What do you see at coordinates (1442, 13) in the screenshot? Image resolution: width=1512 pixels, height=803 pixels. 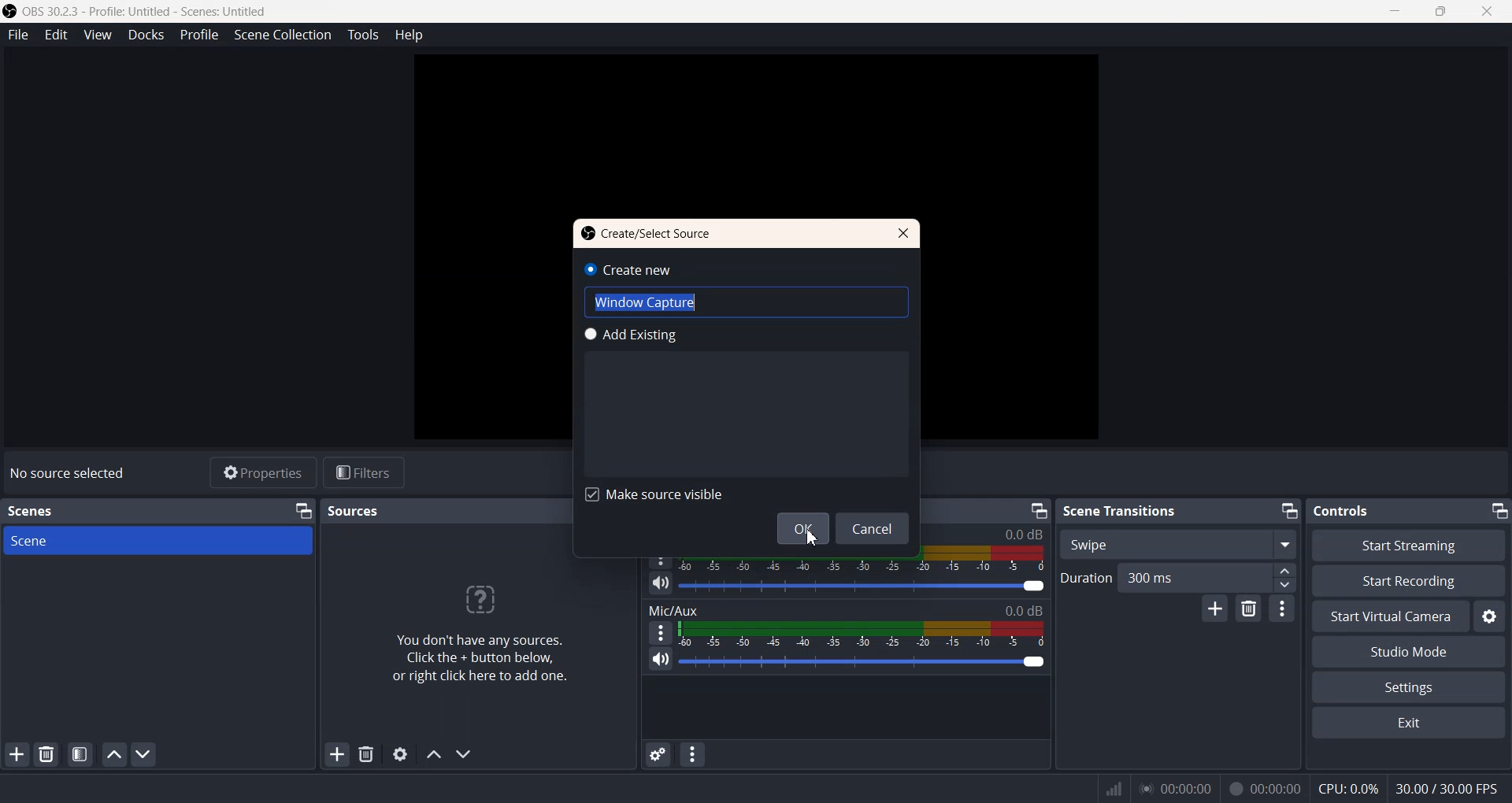 I see `Maximize` at bounding box center [1442, 13].